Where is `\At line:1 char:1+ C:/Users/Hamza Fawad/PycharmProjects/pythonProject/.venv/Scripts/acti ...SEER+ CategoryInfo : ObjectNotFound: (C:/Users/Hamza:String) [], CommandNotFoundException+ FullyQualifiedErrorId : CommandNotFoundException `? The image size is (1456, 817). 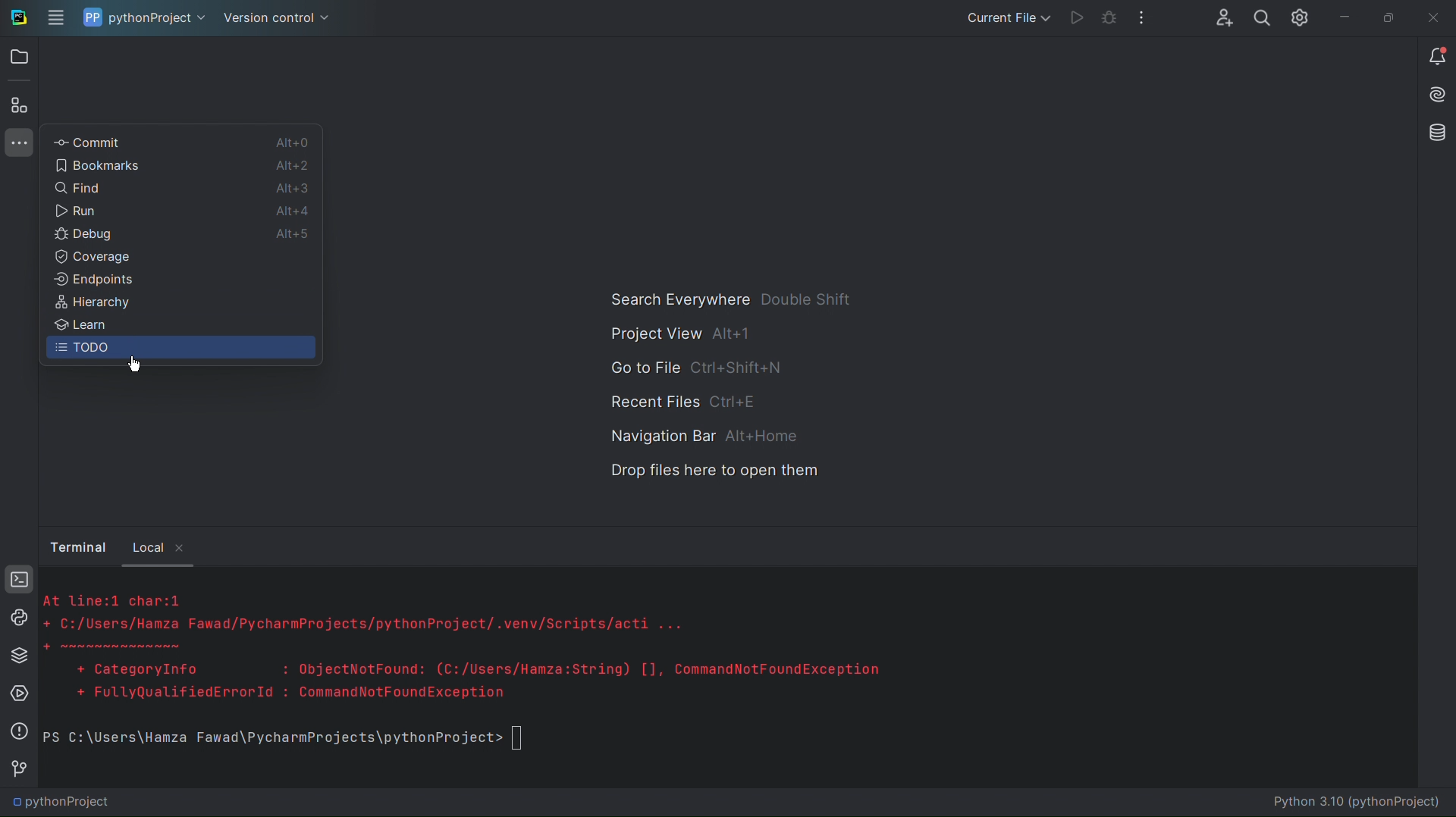 \At line:1 char:1+ C:/Users/Hamza Fawad/PycharmProjects/pythonProject/.venv/Scripts/acti ...SEER+ CategoryInfo : ObjectNotFound: (C:/Users/Hamza:String) [], CommandNotFoundException+ FullyQualifiedErrorId : CommandNotFoundException  is located at coordinates (485, 650).